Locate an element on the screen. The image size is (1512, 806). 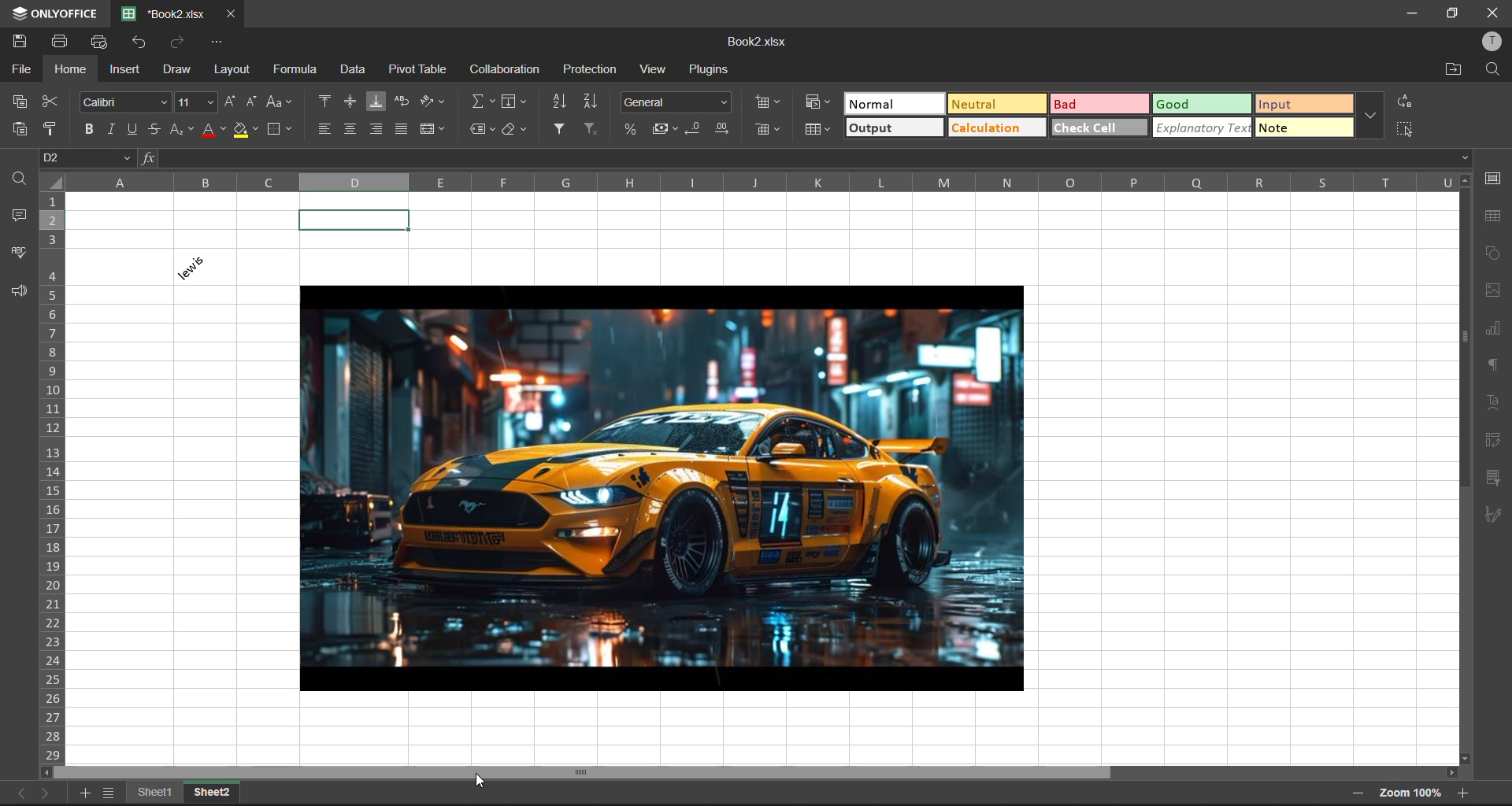
minimize is located at coordinates (1410, 13).